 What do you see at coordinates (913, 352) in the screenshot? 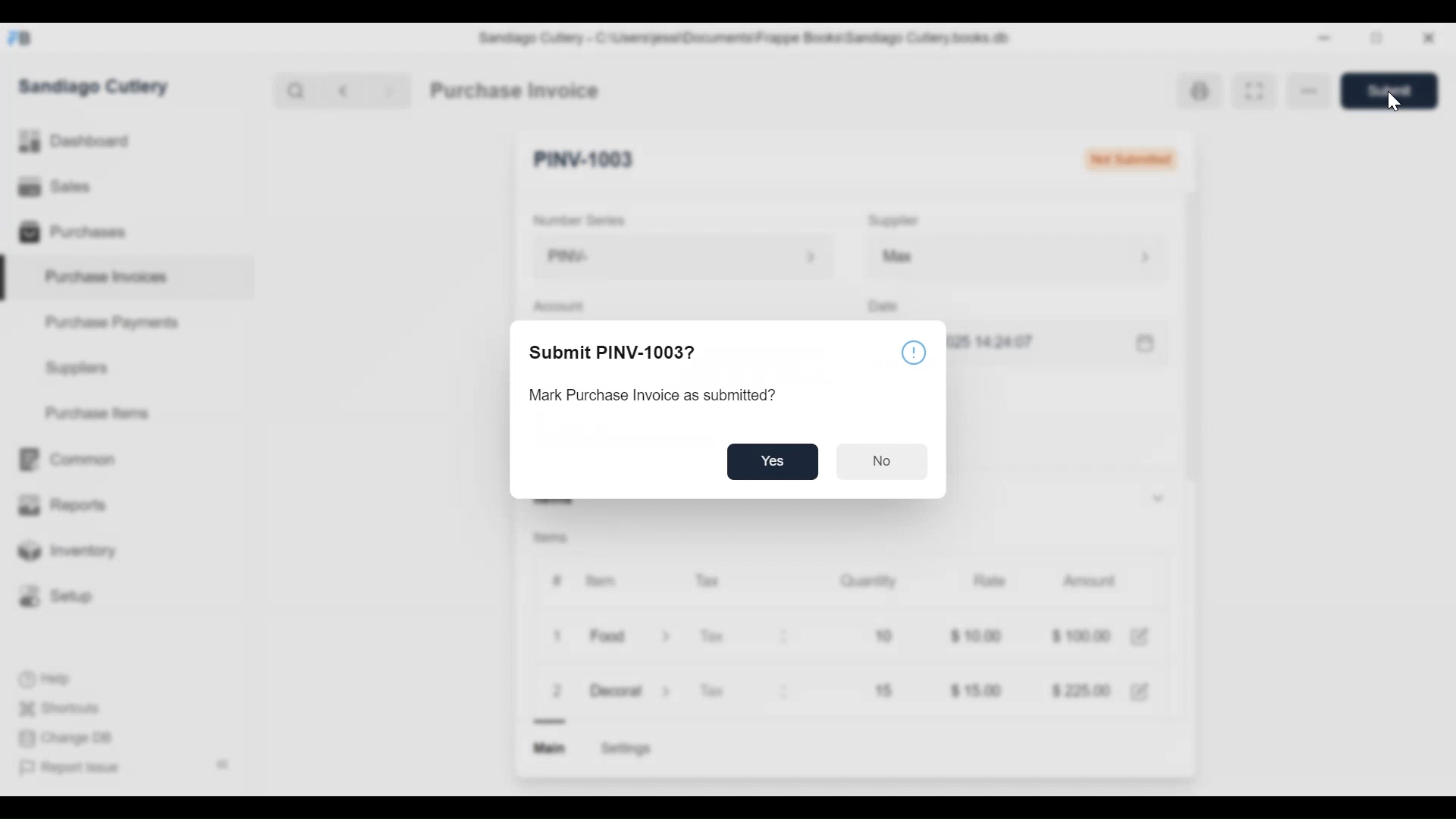
I see `Information` at bounding box center [913, 352].